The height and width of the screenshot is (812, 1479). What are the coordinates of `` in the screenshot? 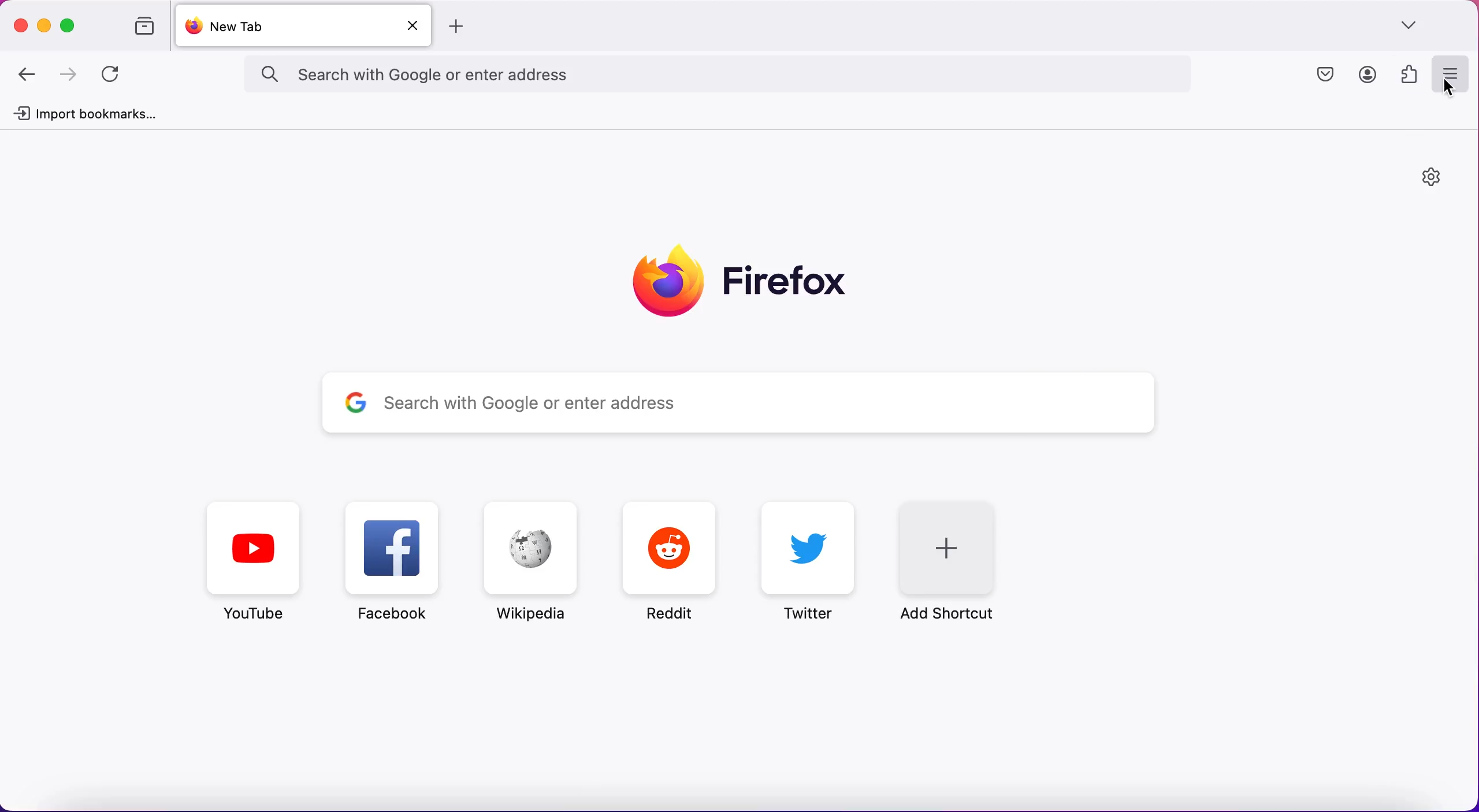 It's located at (398, 566).